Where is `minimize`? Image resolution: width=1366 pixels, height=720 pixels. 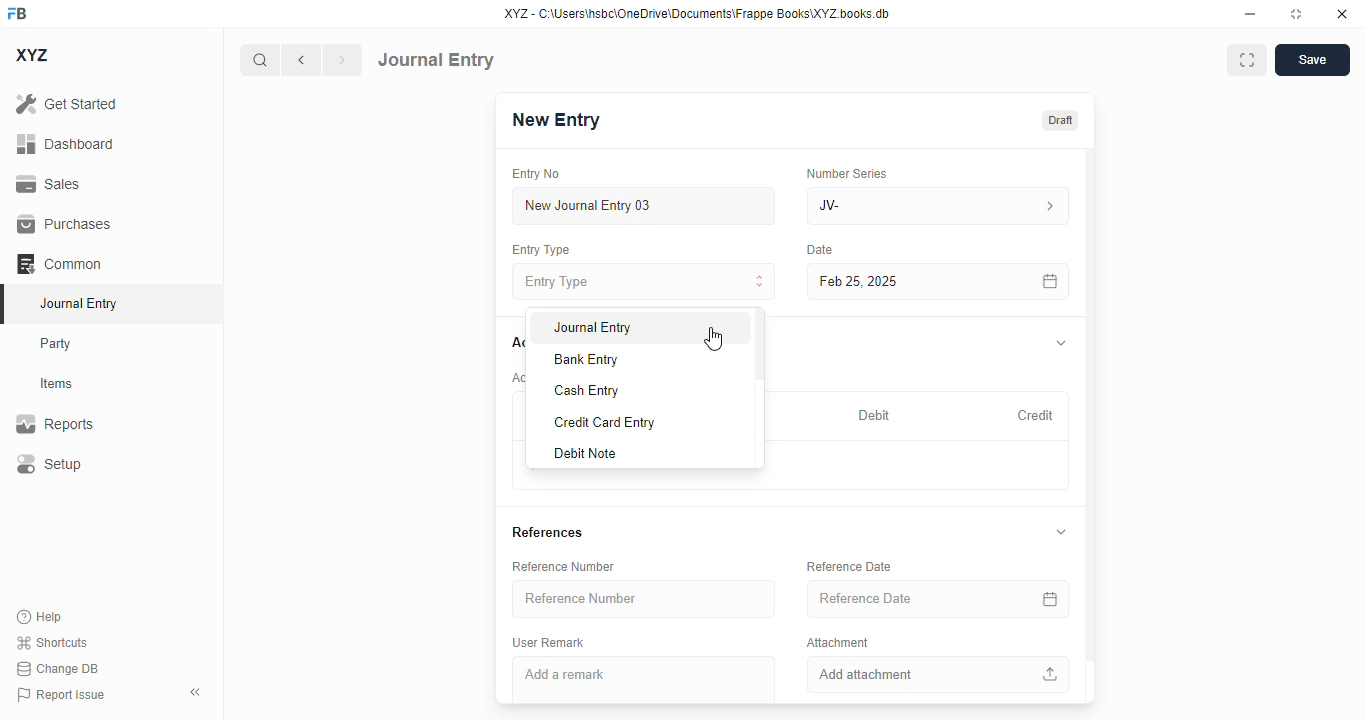 minimize is located at coordinates (1251, 13).